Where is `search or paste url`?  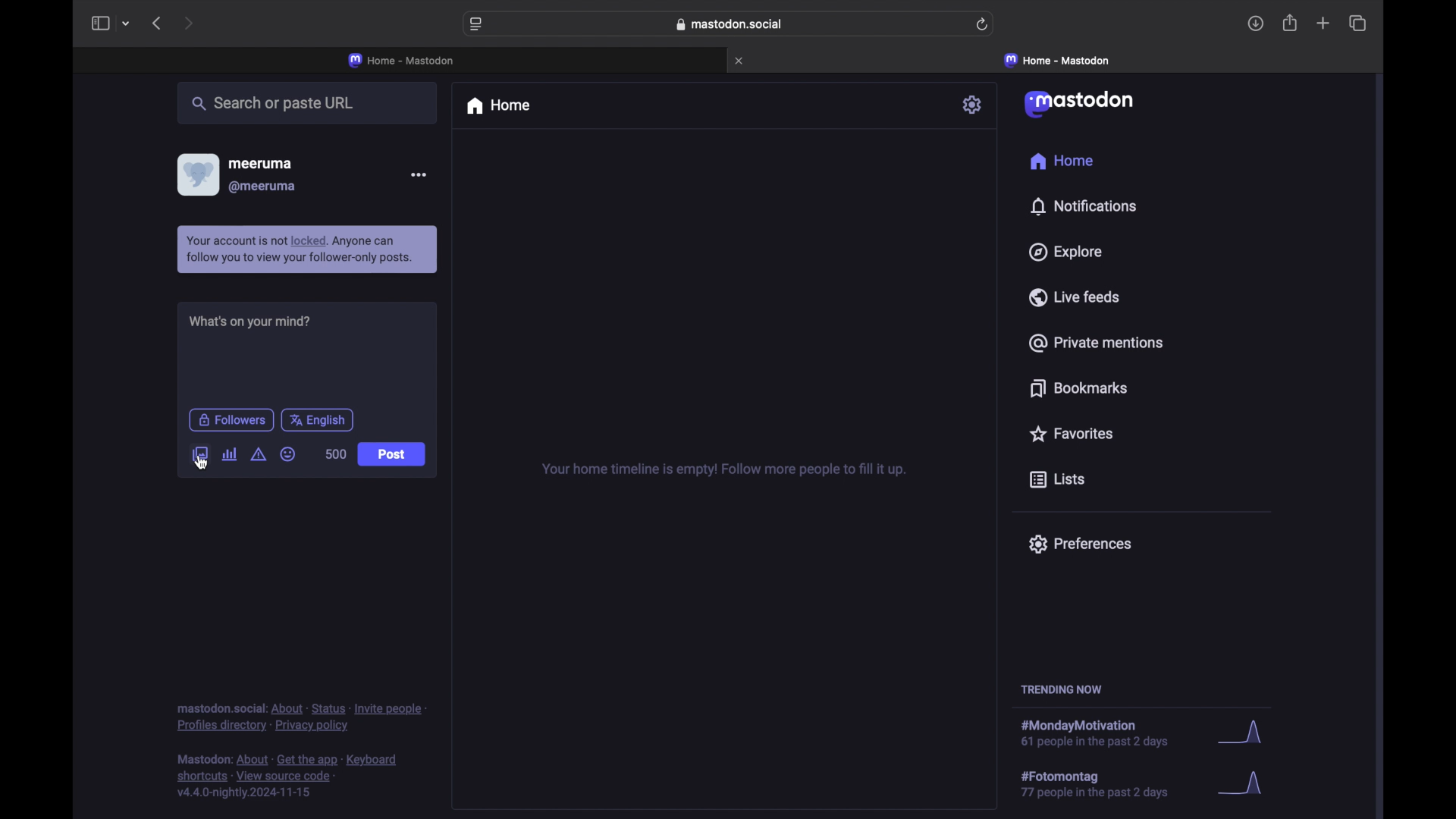
search or paste url is located at coordinates (278, 105).